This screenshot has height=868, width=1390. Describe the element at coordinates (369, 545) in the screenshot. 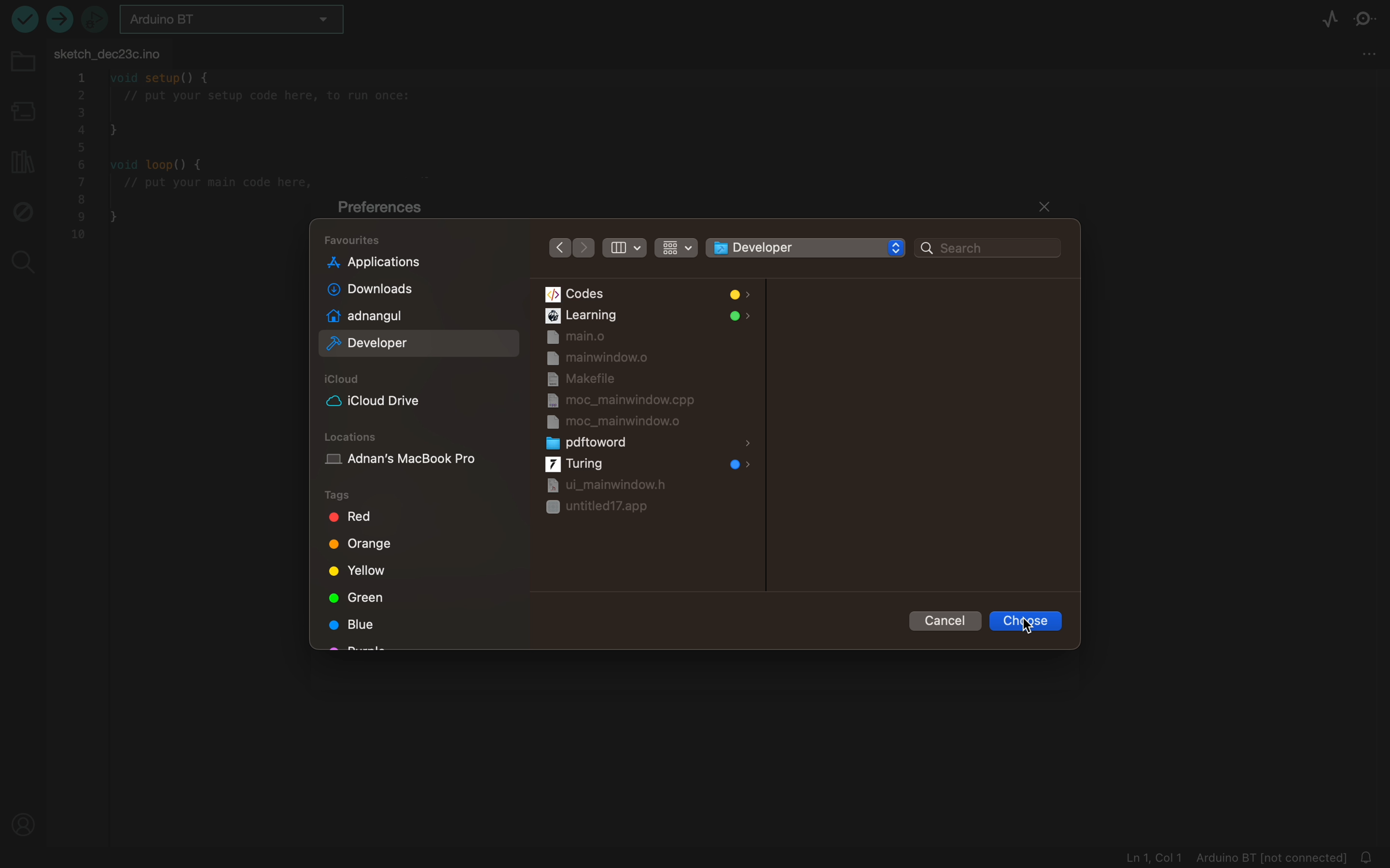

I see `orange` at that location.